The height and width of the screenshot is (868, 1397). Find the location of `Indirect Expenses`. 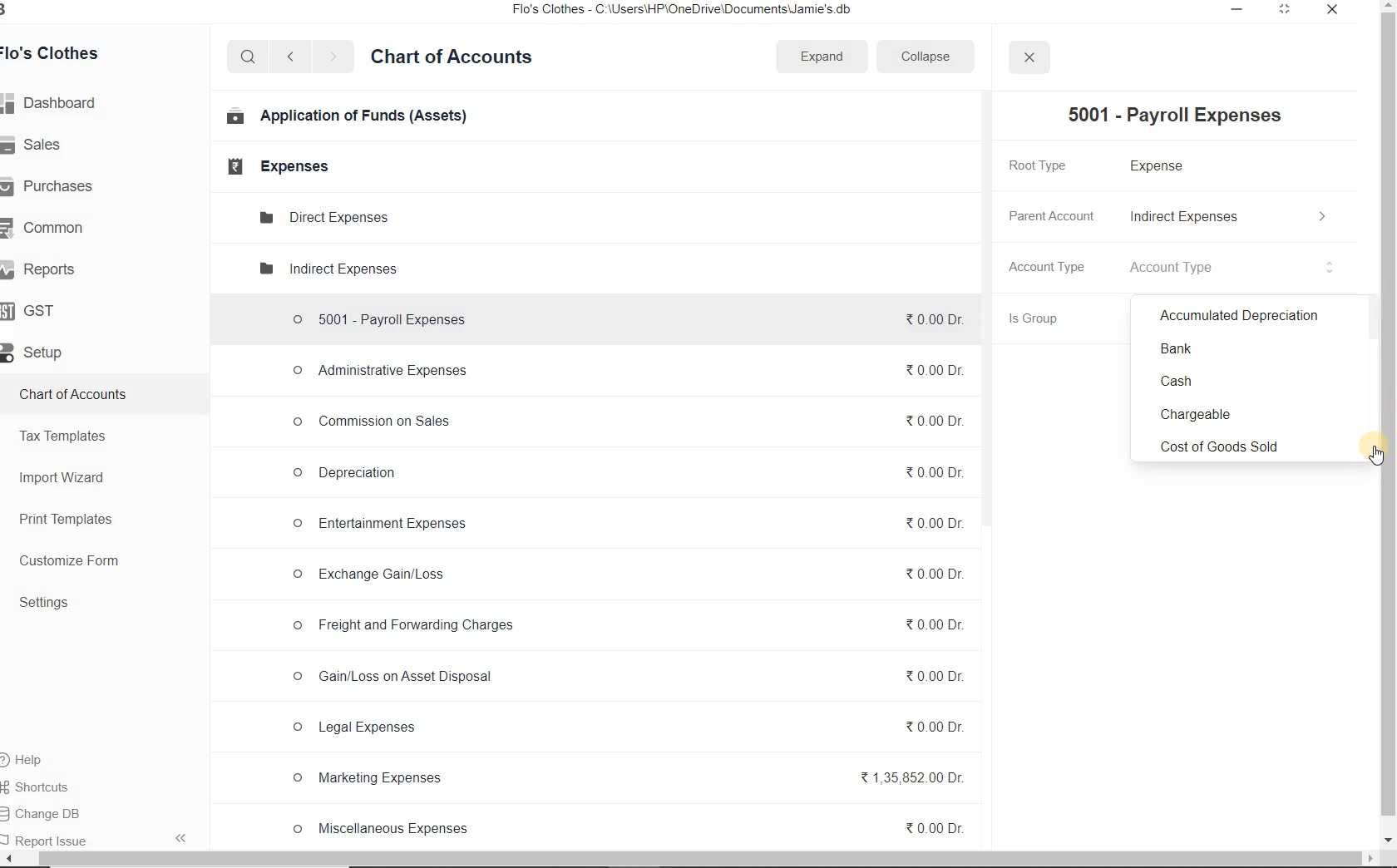

Indirect Expenses is located at coordinates (1228, 216).